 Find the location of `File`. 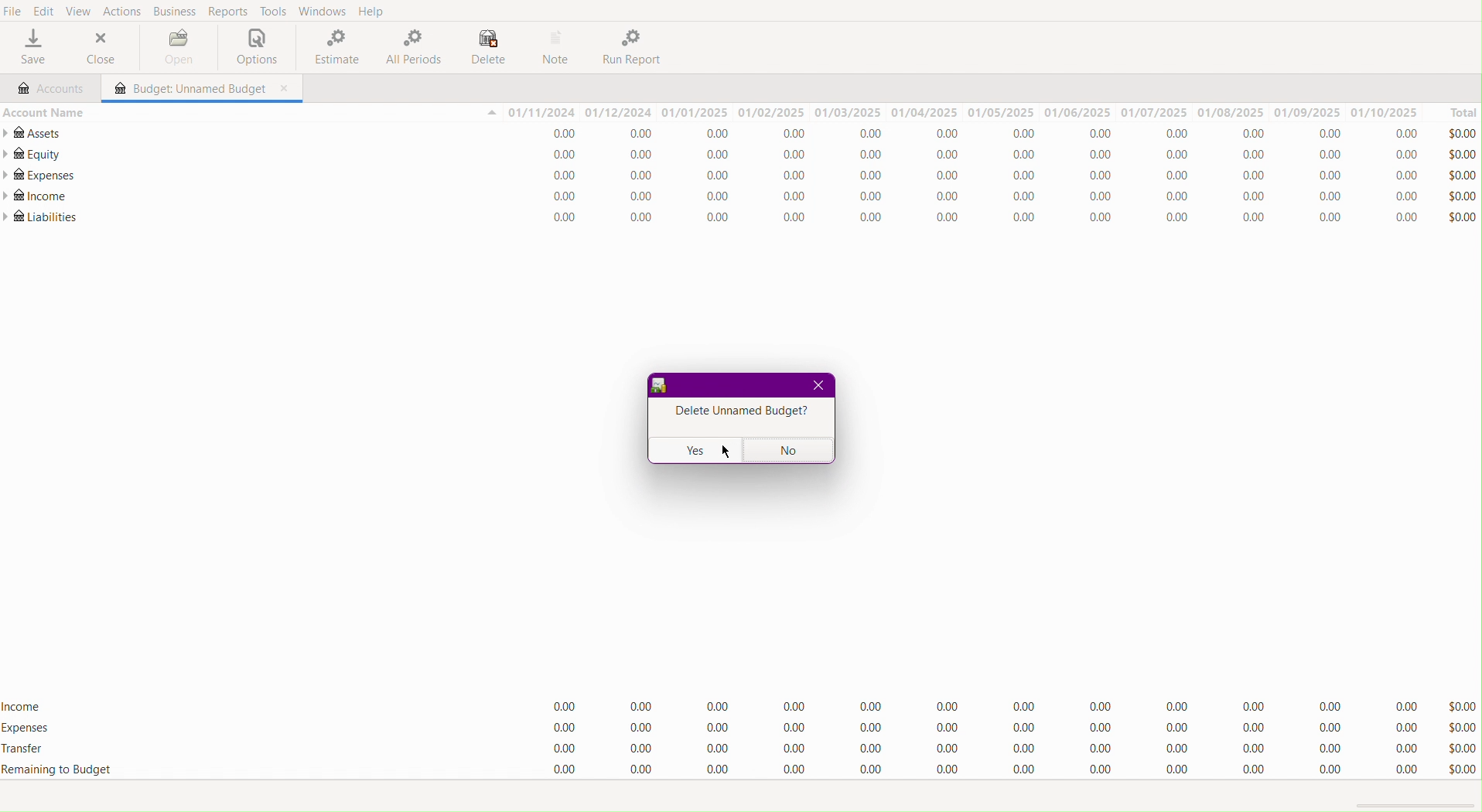

File is located at coordinates (13, 11).